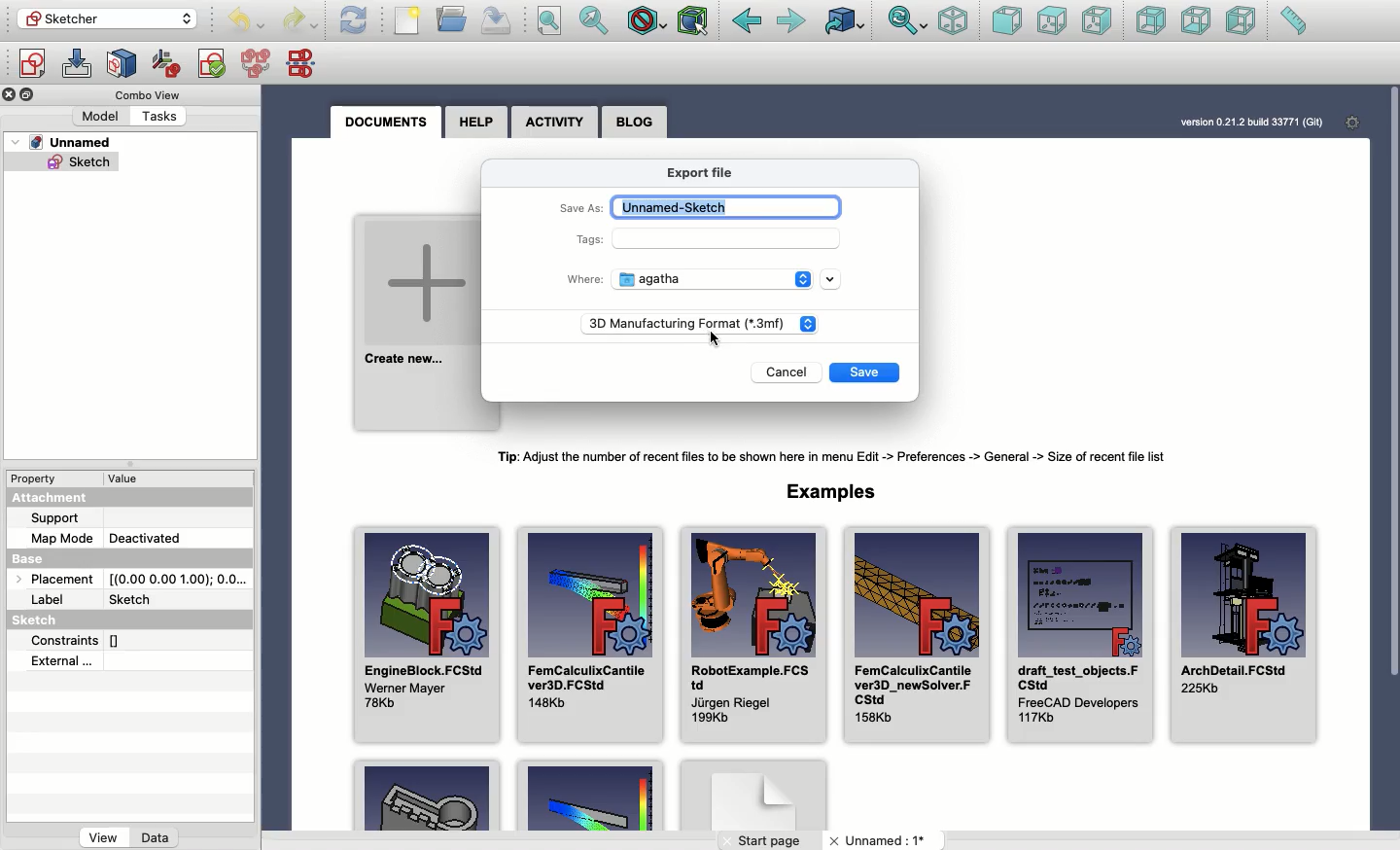 This screenshot has width=1400, height=850. What do you see at coordinates (301, 20) in the screenshot?
I see `Undo` at bounding box center [301, 20].